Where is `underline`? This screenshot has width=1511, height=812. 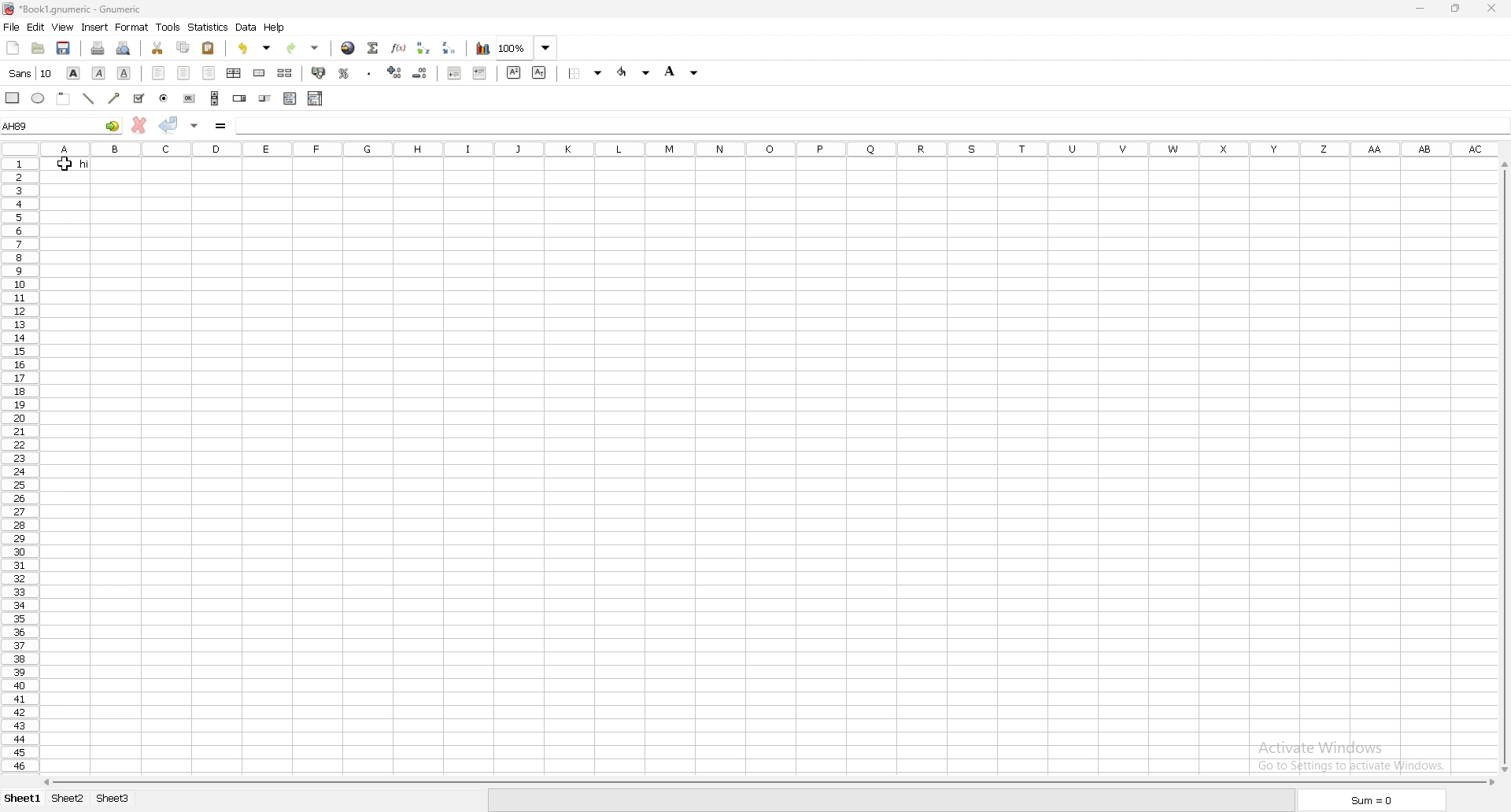 underline is located at coordinates (124, 73).